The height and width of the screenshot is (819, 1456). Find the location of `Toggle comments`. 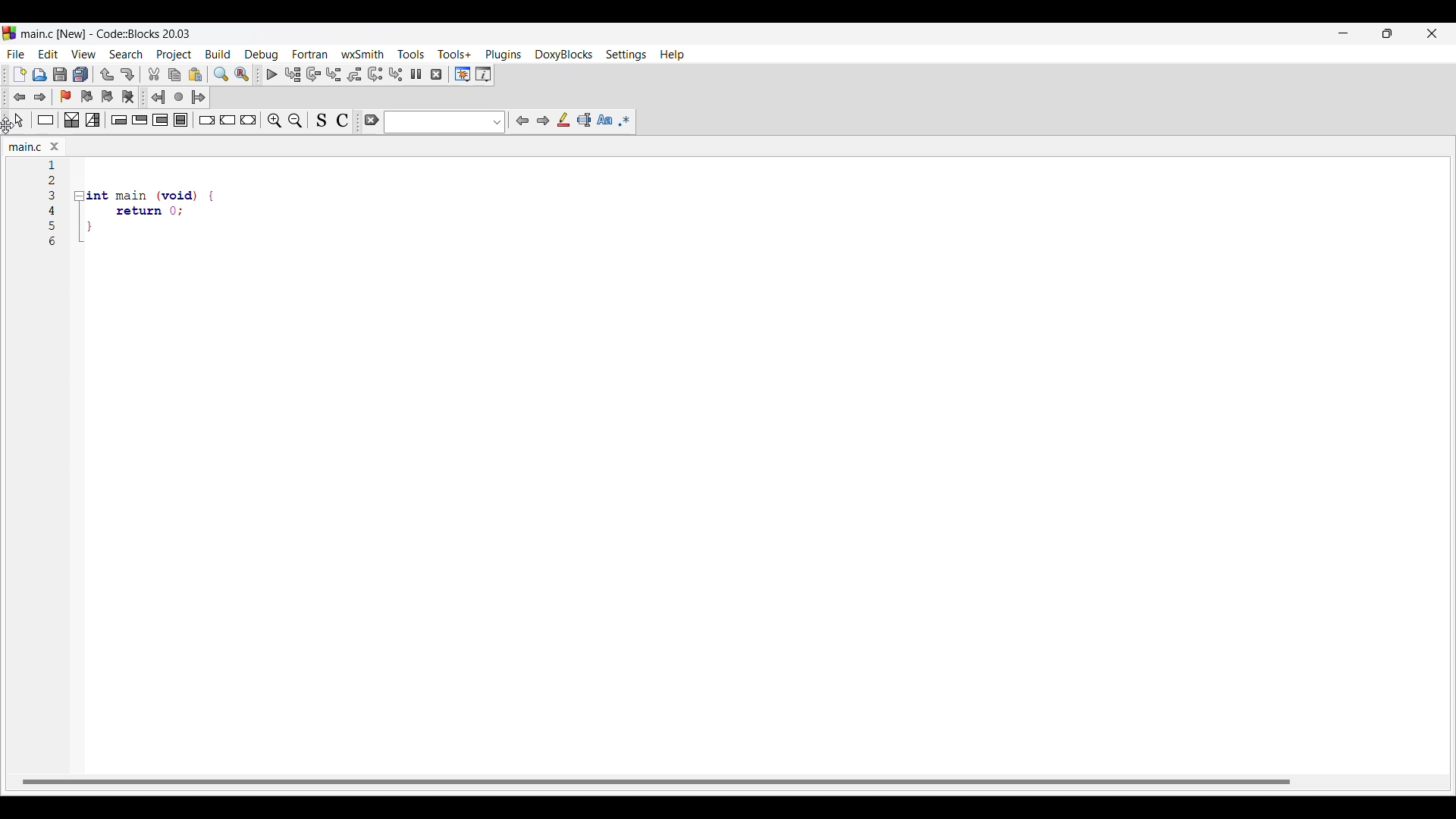

Toggle comments is located at coordinates (343, 122).